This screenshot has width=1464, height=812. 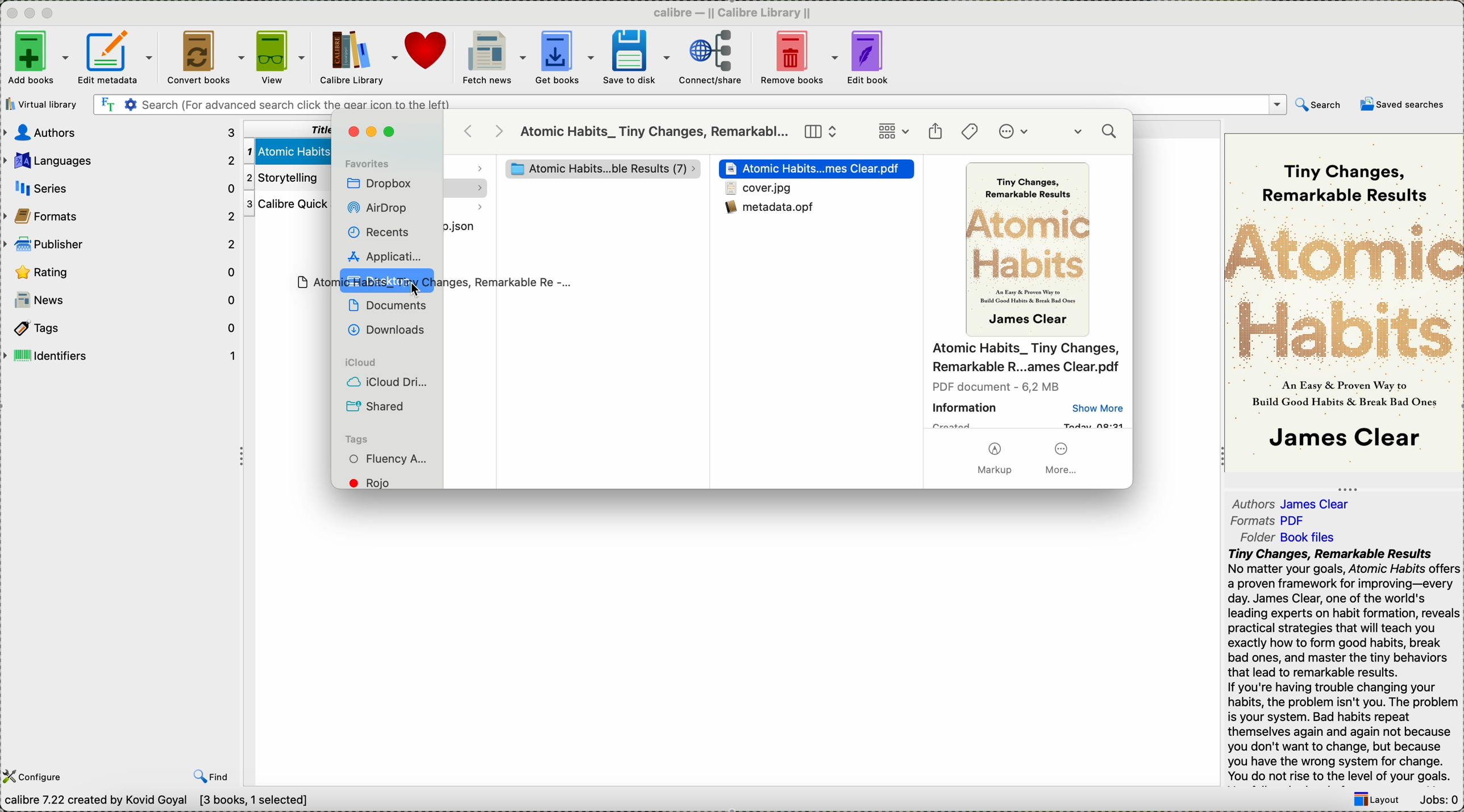 I want to click on more options, so click(x=1017, y=132).